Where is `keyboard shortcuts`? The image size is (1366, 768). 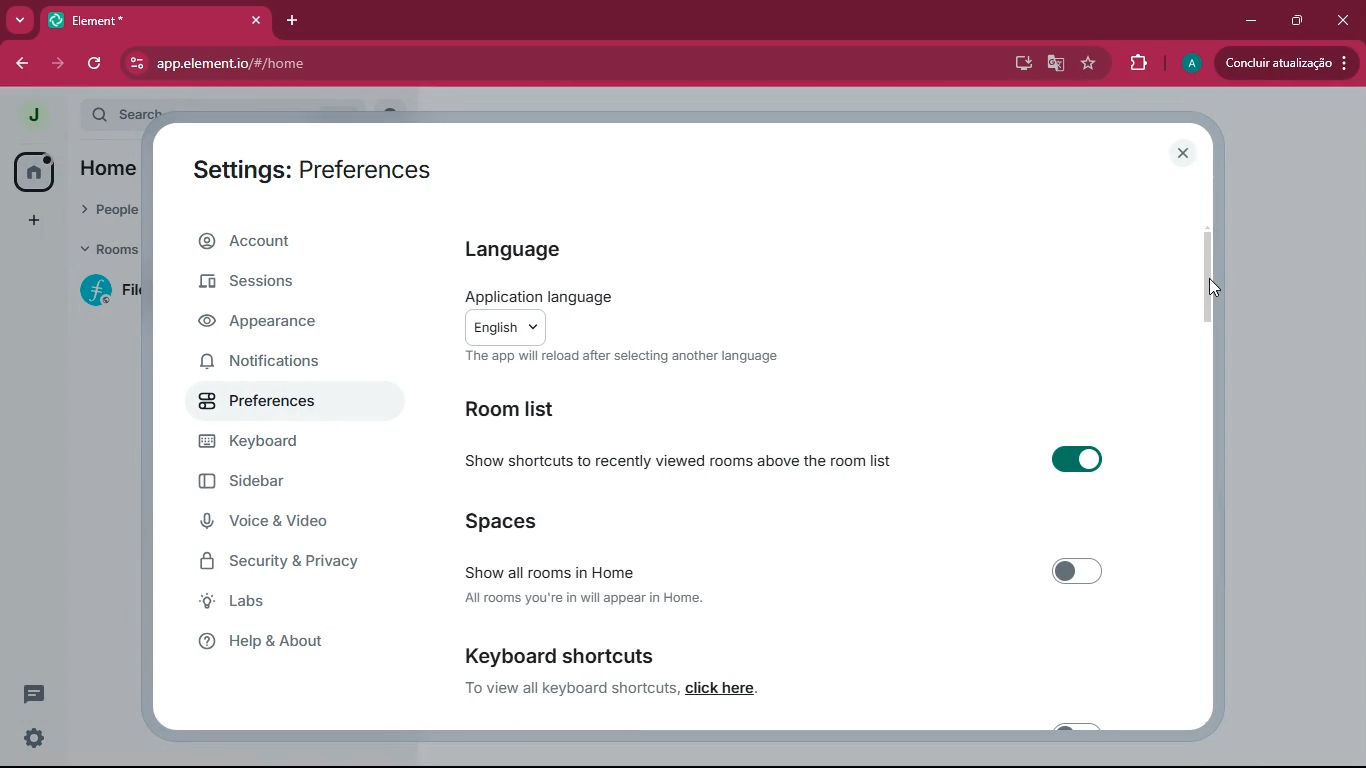 keyboard shortcuts is located at coordinates (555, 652).